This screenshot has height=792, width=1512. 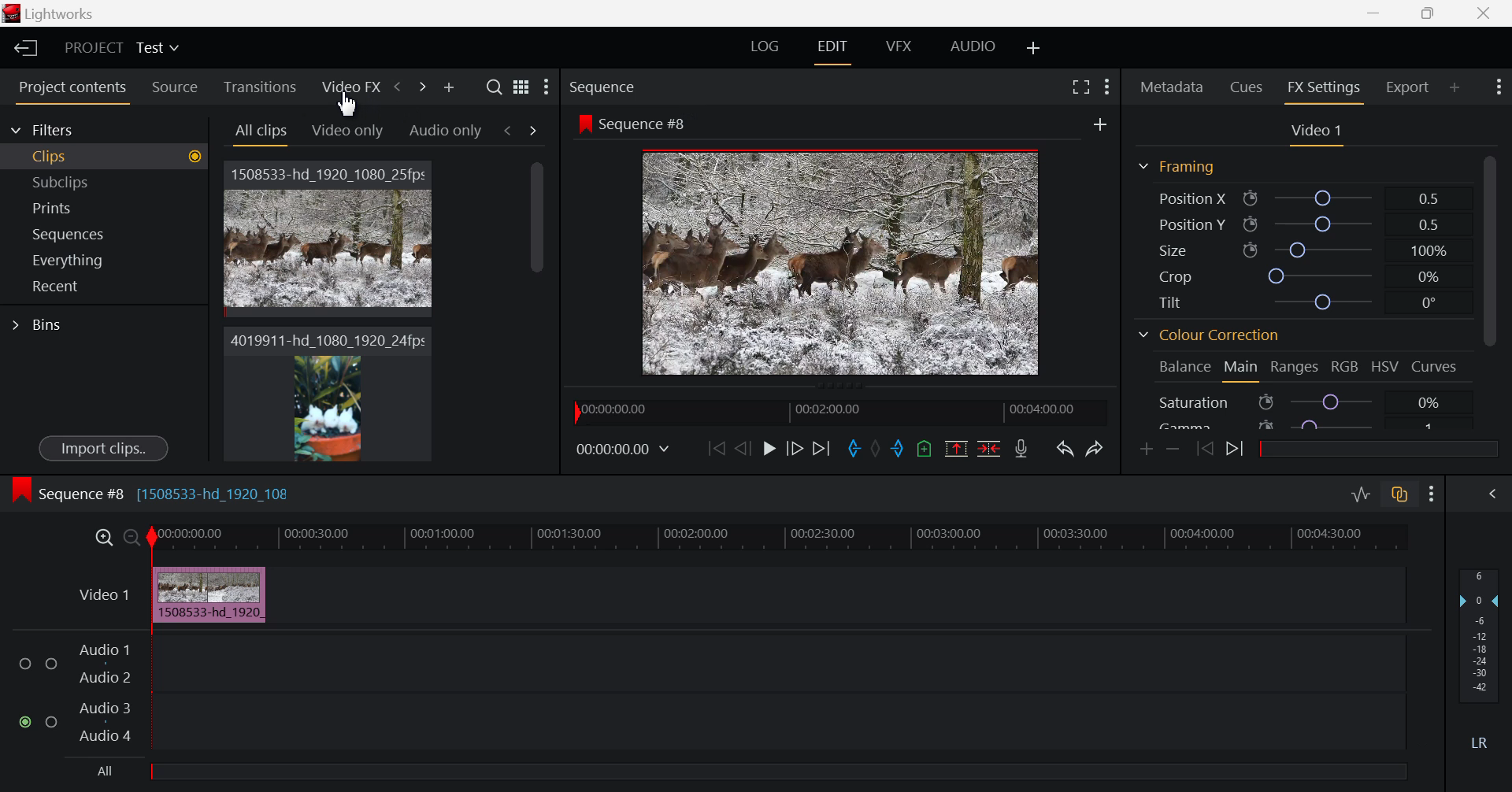 What do you see at coordinates (896, 450) in the screenshot?
I see `Mark Out` at bounding box center [896, 450].